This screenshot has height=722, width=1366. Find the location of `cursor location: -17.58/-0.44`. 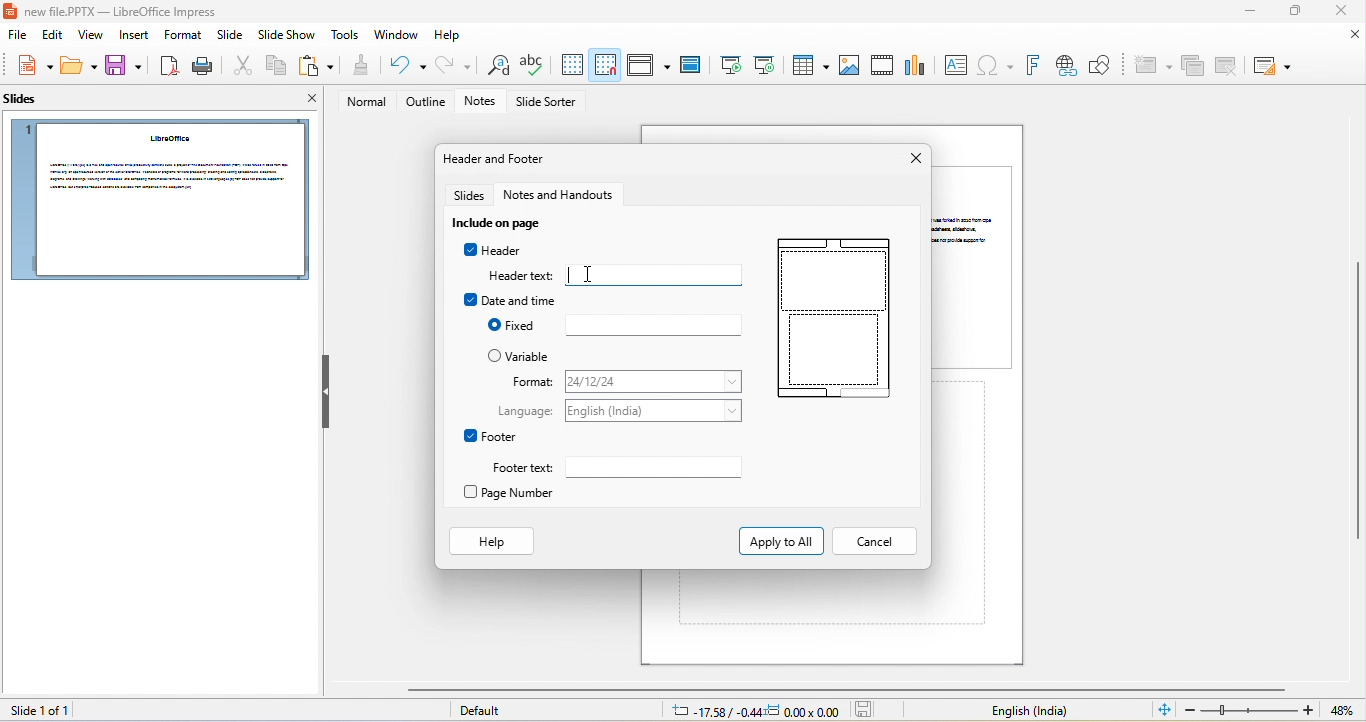

cursor location: -17.58/-0.44 is located at coordinates (713, 711).